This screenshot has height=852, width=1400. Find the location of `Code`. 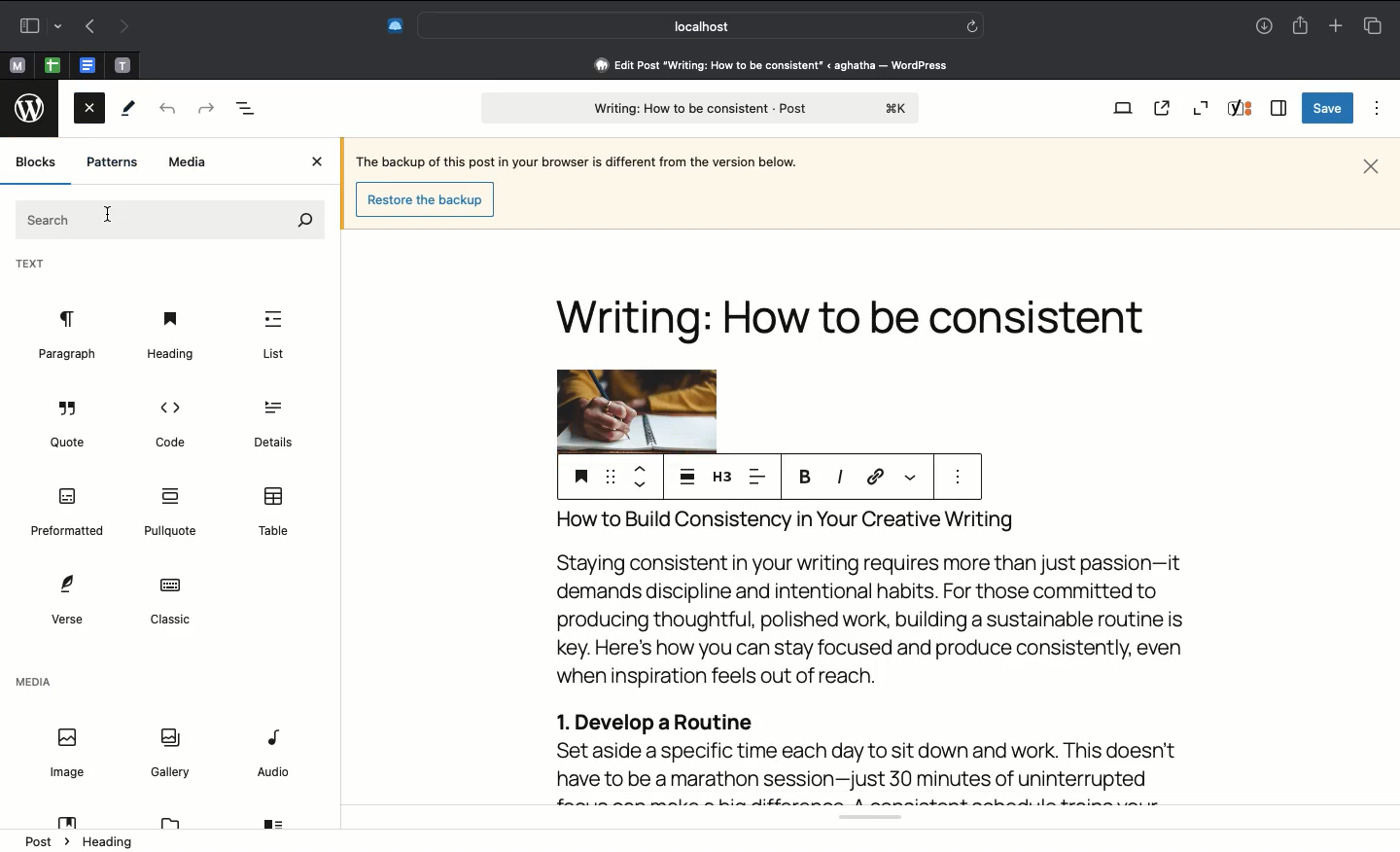

Code is located at coordinates (168, 423).